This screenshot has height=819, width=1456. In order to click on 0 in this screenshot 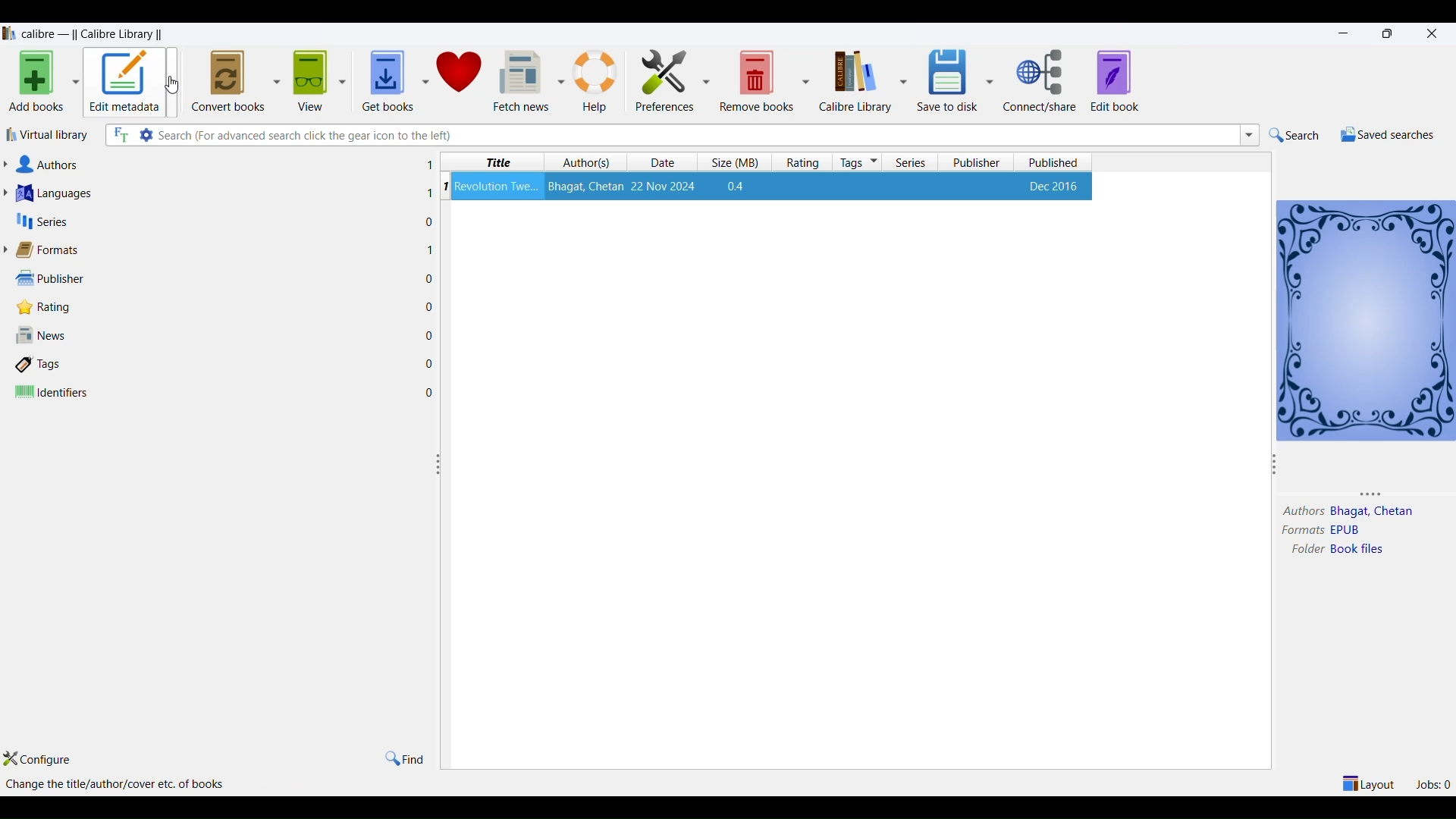, I will do `click(430, 278)`.